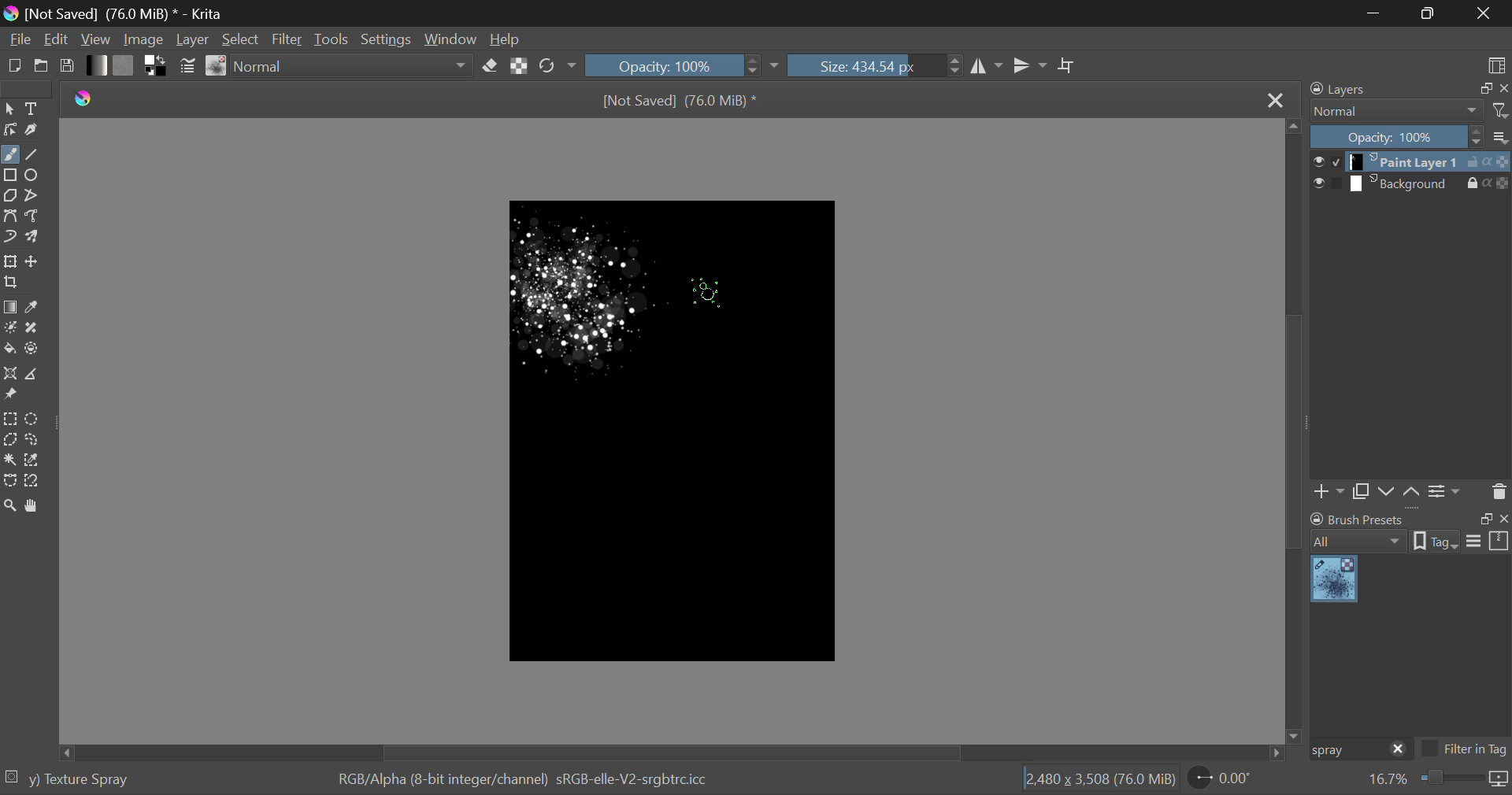 Image resolution: width=1512 pixels, height=795 pixels. I want to click on Opacity: 100%, so click(1397, 138).